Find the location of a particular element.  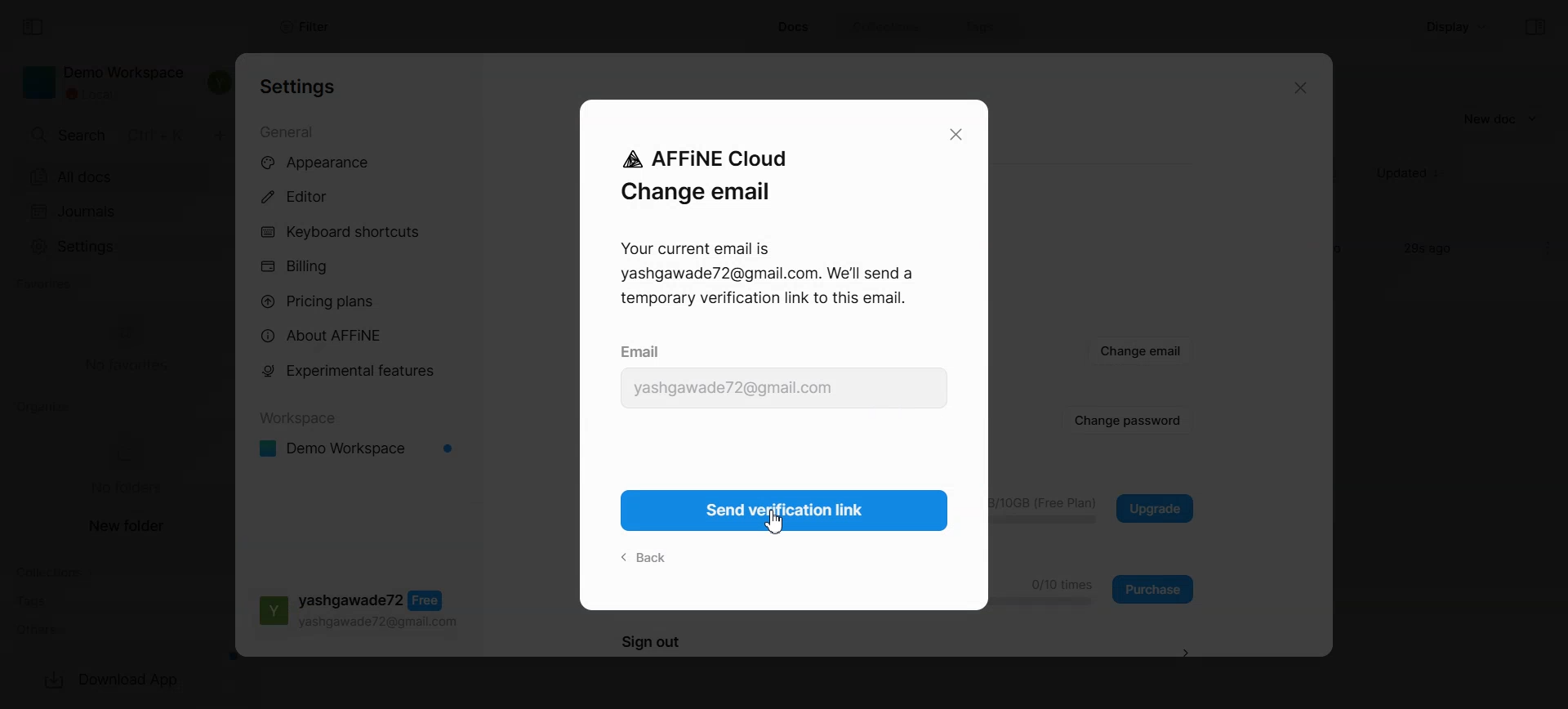

Cursor is located at coordinates (774, 522).